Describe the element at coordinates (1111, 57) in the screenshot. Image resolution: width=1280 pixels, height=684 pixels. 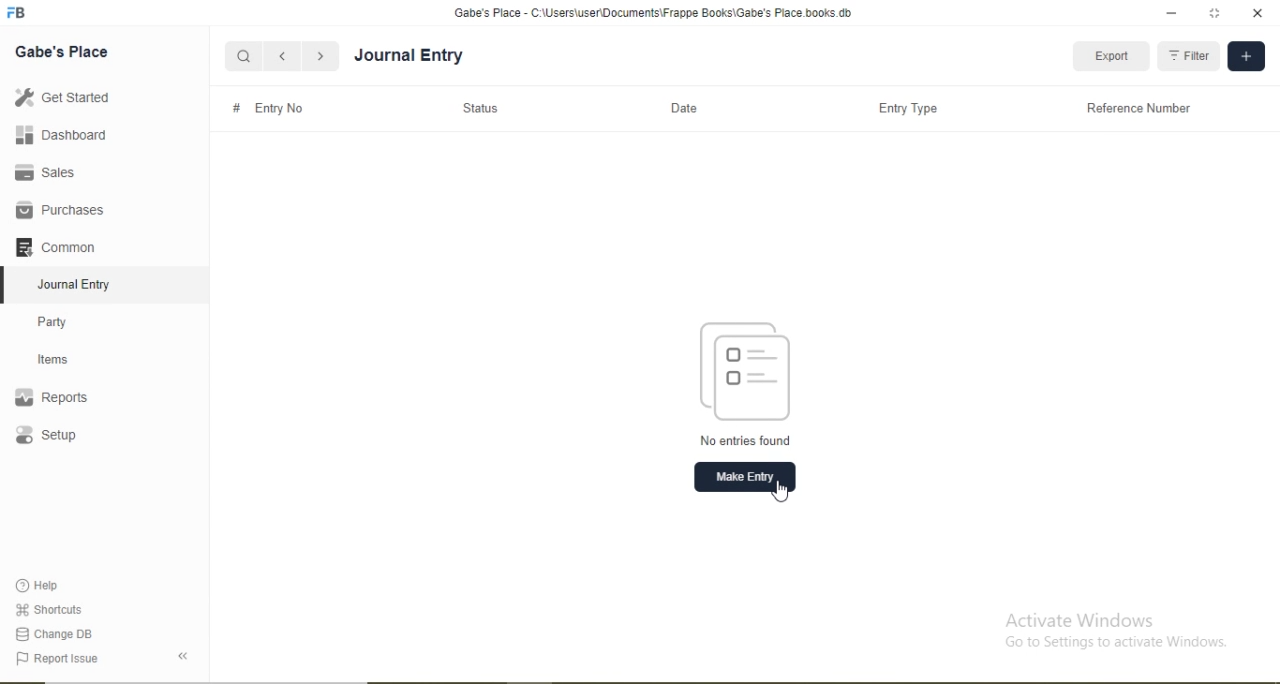
I see `Export` at that location.